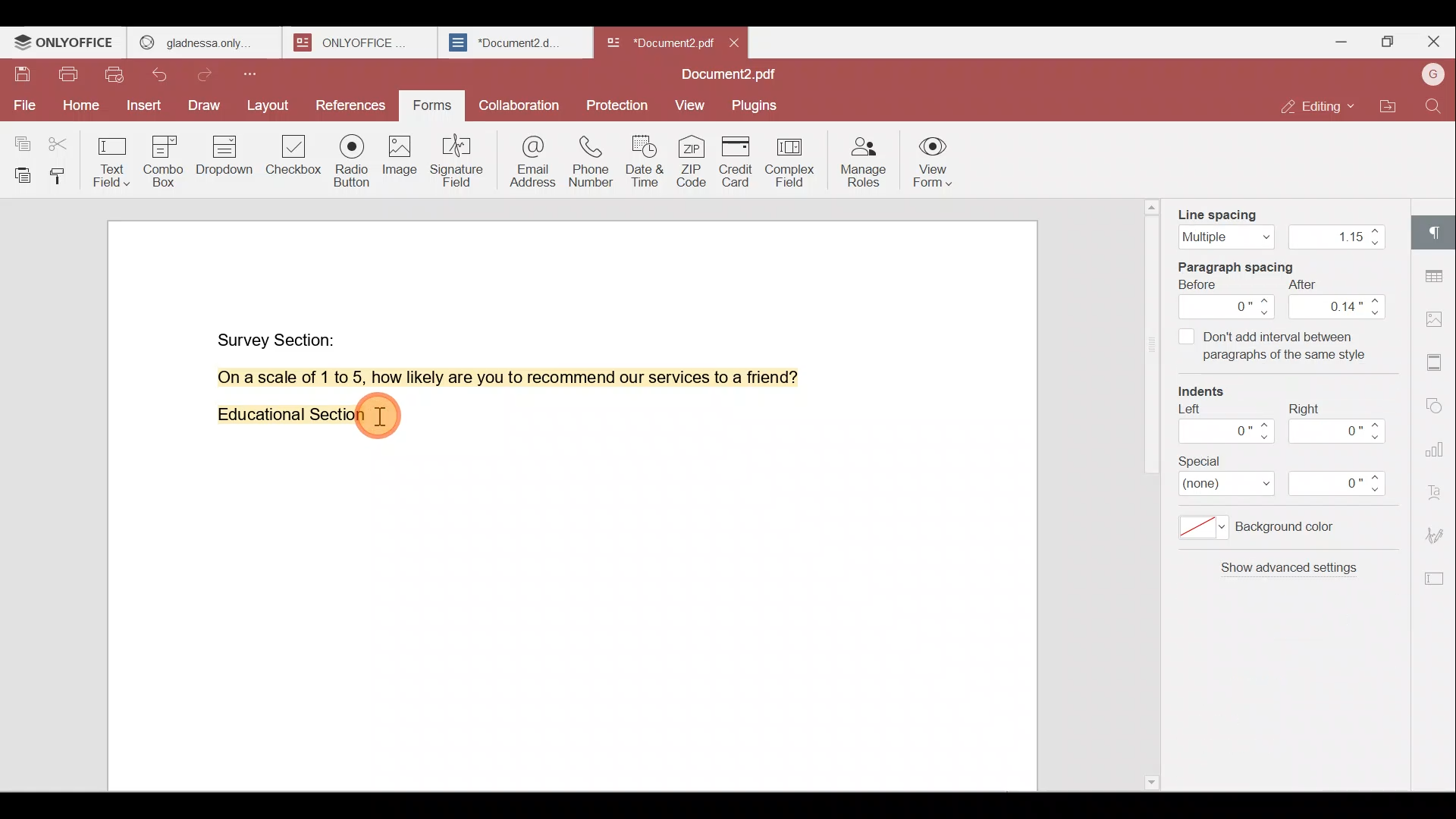 The image size is (1456, 819). What do you see at coordinates (1437, 231) in the screenshot?
I see `Paragraph settings` at bounding box center [1437, 231].